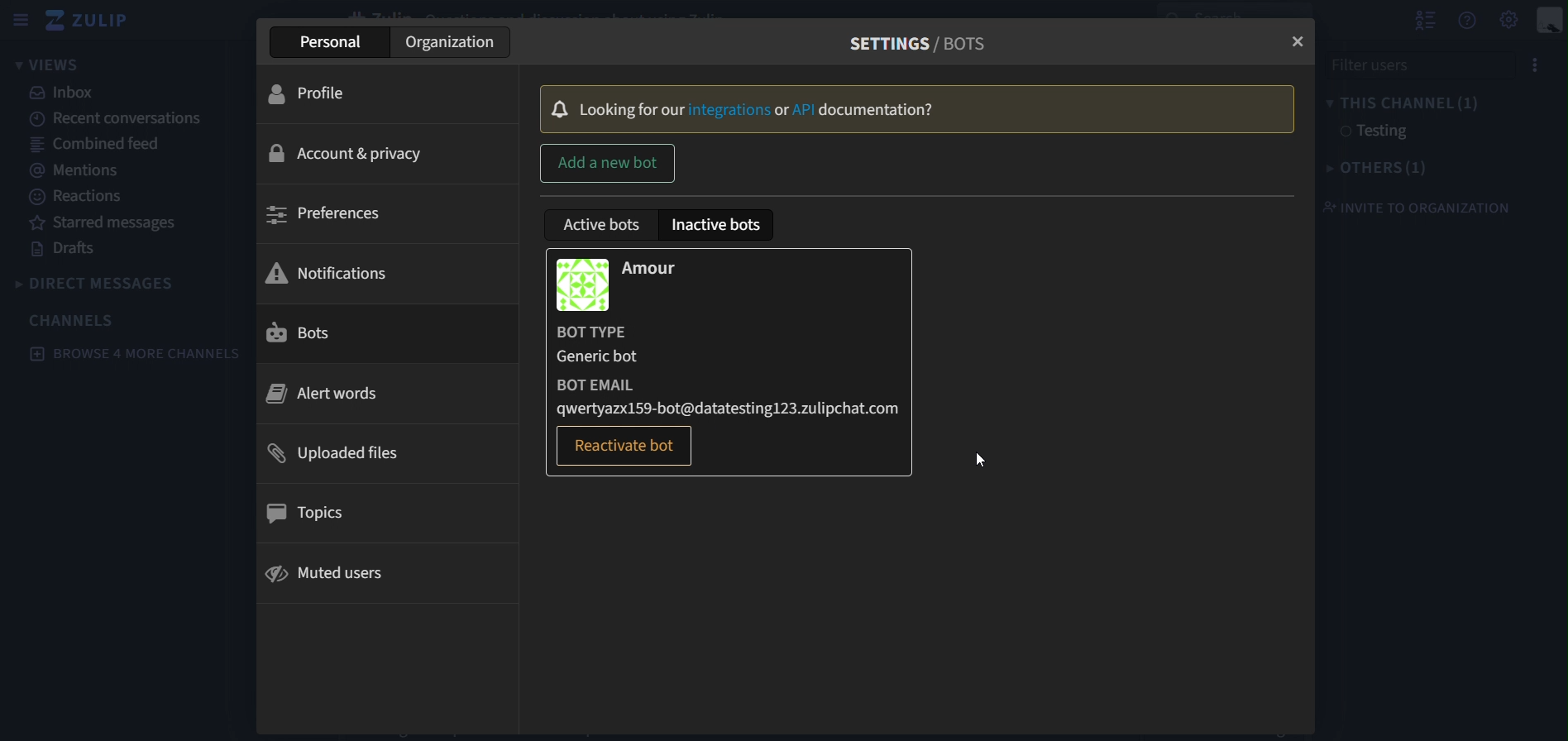 The image size is (1568, 741). I want to click on or, so click(782, 111).